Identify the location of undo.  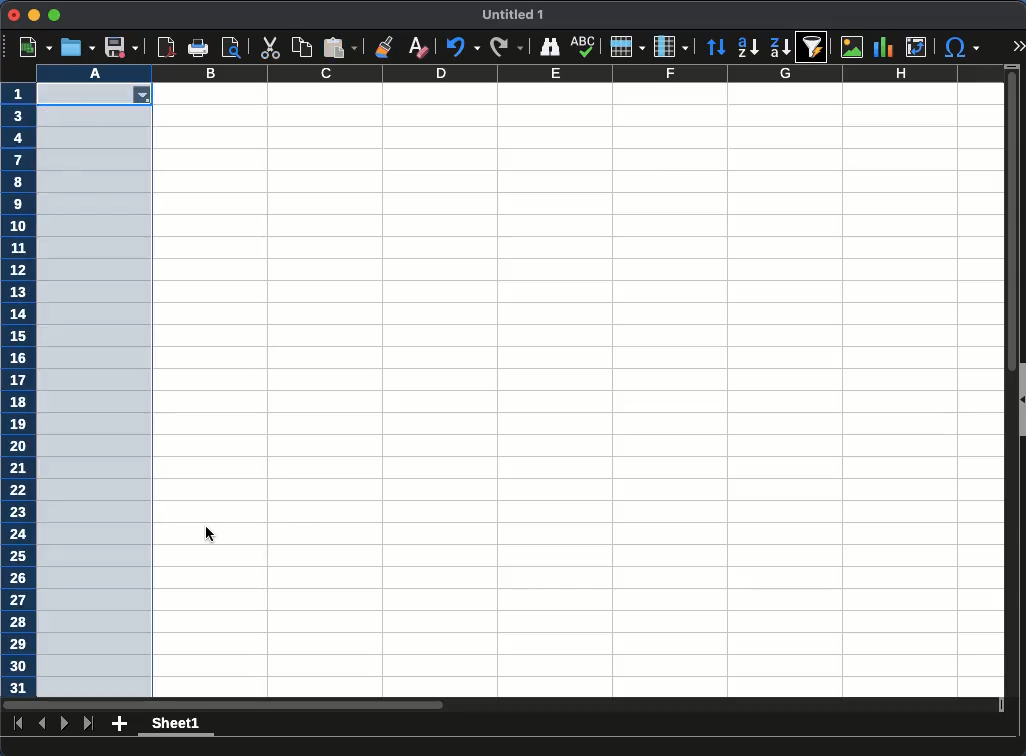
(461, 48).